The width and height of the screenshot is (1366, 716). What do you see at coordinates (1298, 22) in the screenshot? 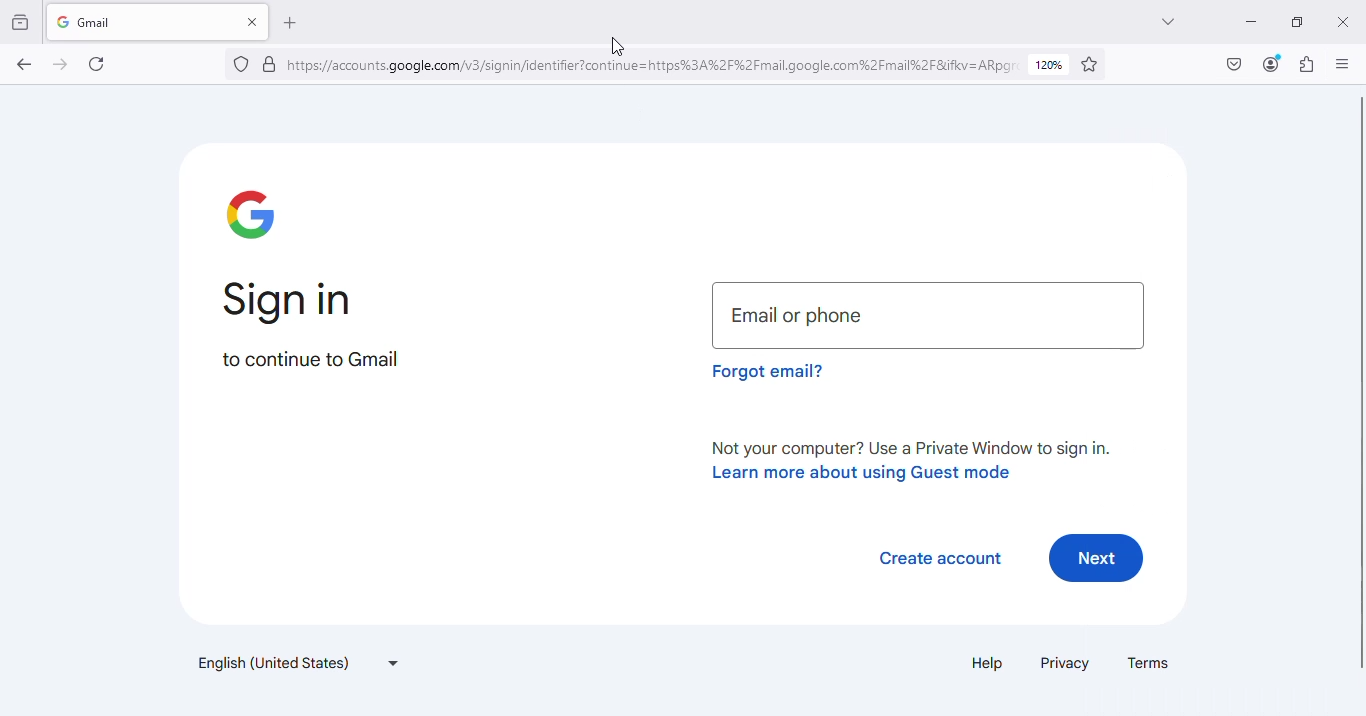
I see `maximize` at bounding box center [1298, 22].